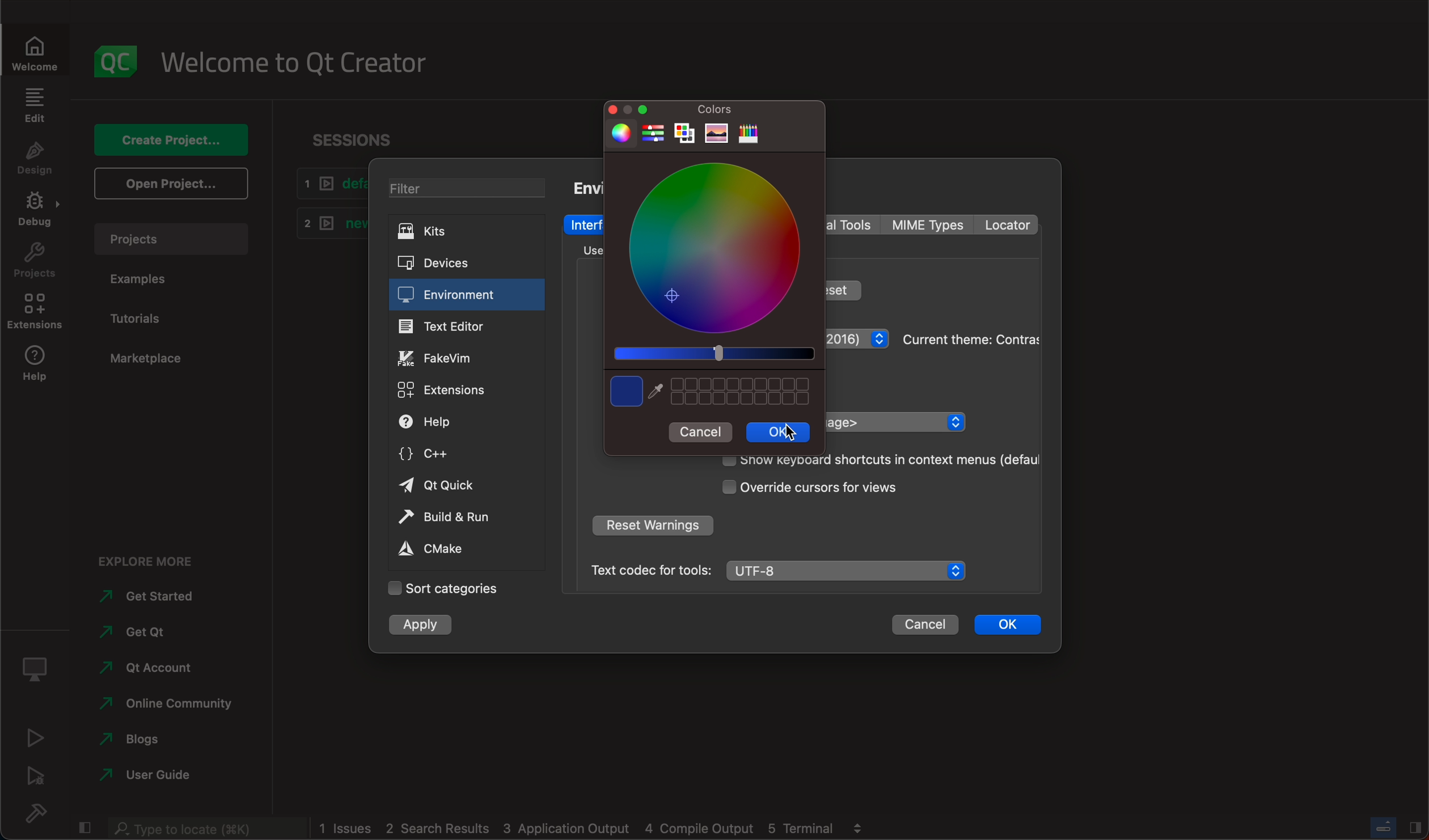 The width and height of the screenshot is (1429, 840). What do you see at coordinates (86, 826) in the screenshot?
I see `close slidebar` at bounding box center [86, 826].